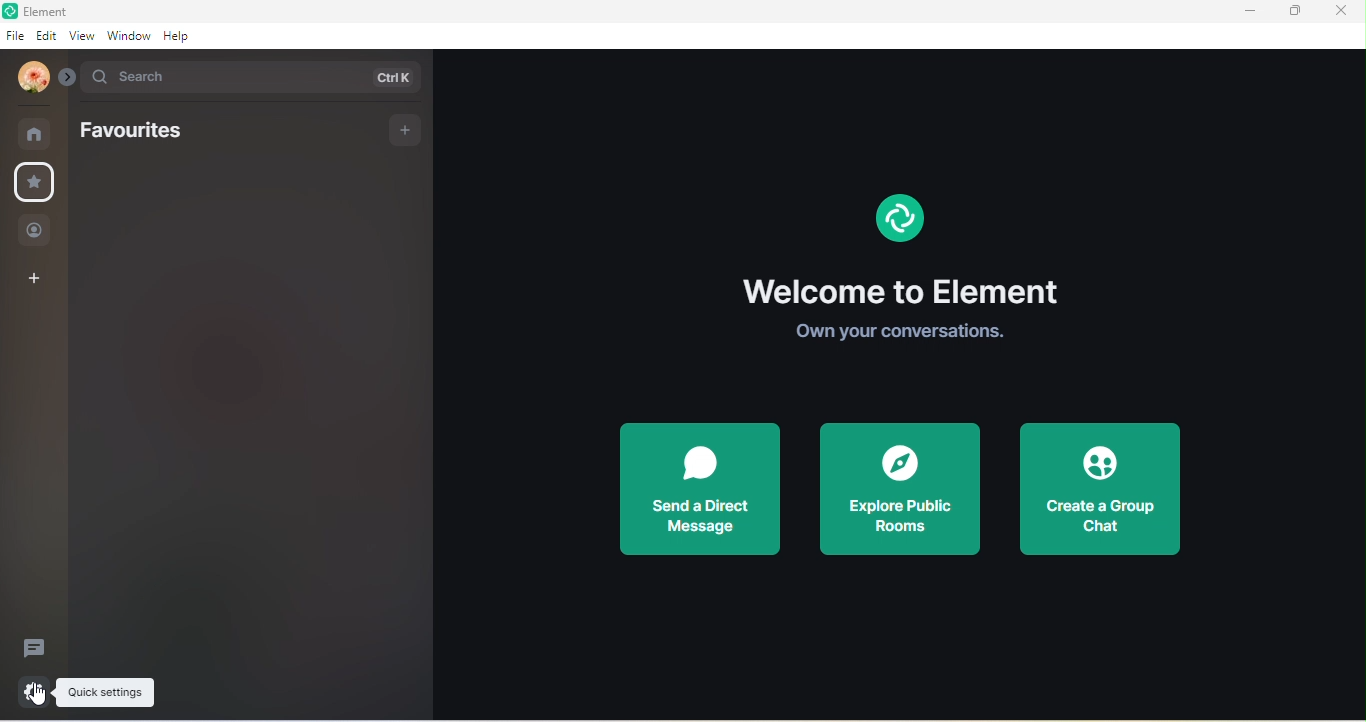 Image resolution: width=1366 pixels, height=722 pixels. Describe the element at coordinates (111, 694) in the screenshot. I see `quick settings` at that location.